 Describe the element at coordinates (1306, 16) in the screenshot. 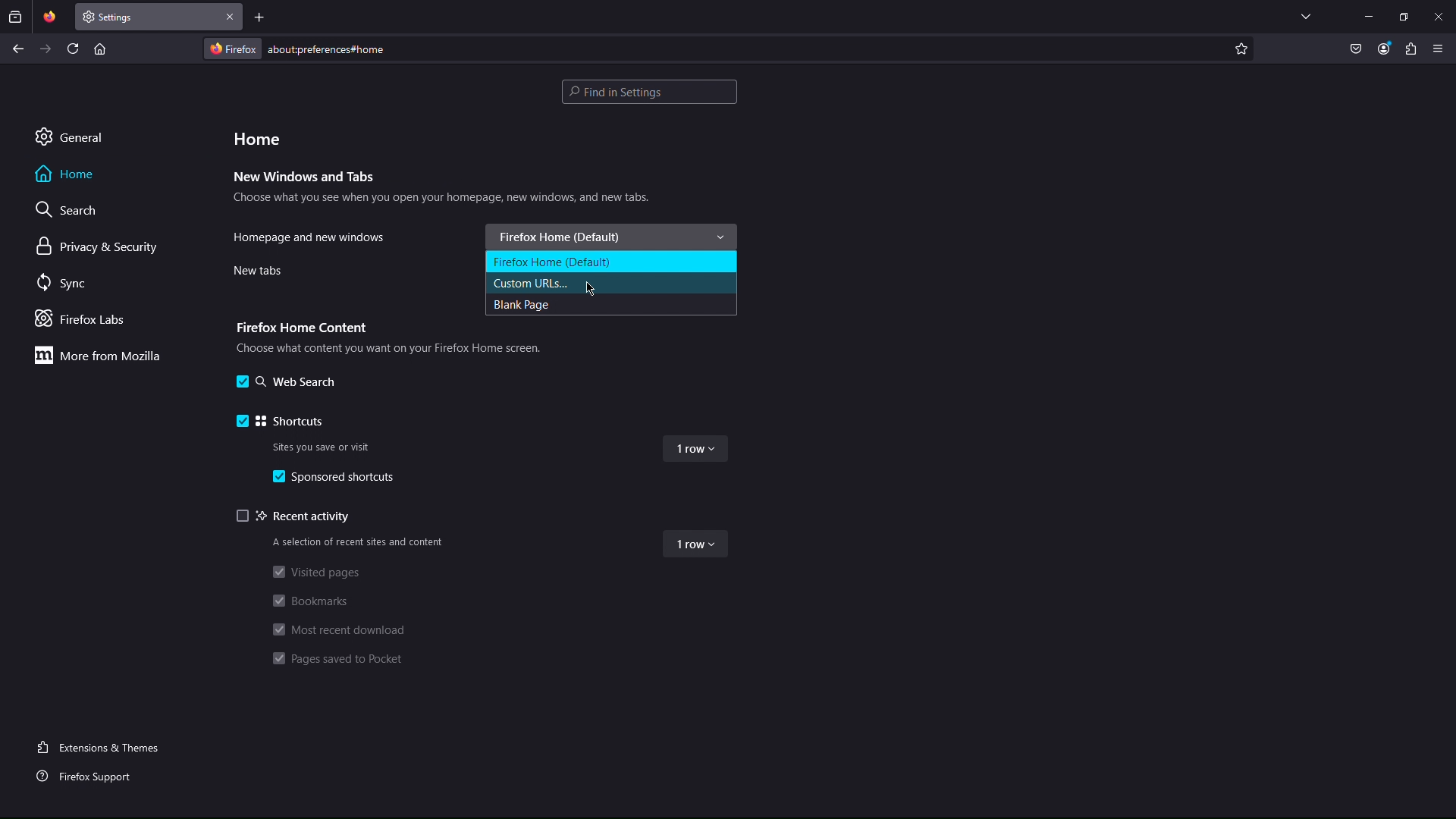

I see `List all tabs` at that location.